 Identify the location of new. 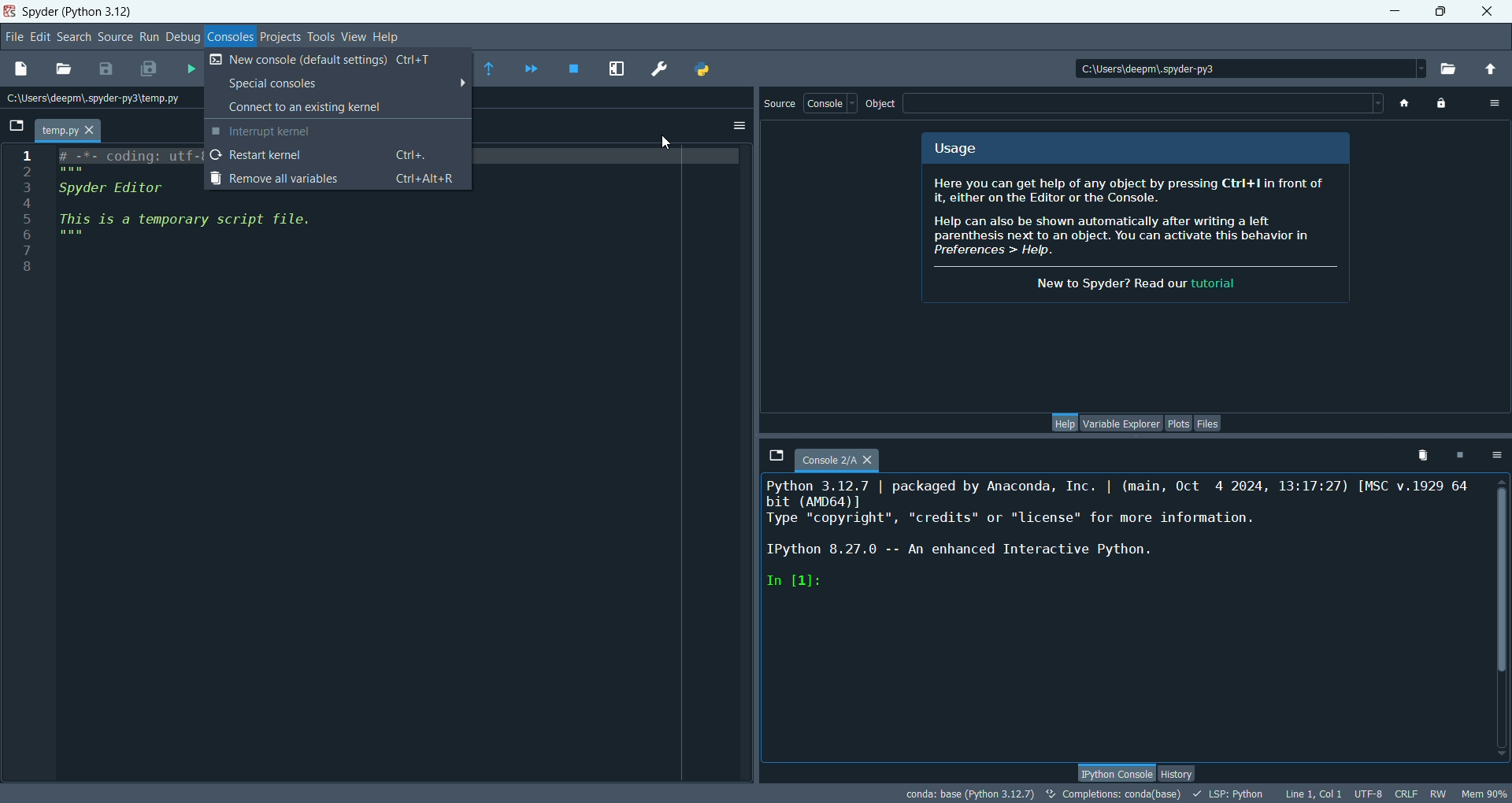
(23, 68).